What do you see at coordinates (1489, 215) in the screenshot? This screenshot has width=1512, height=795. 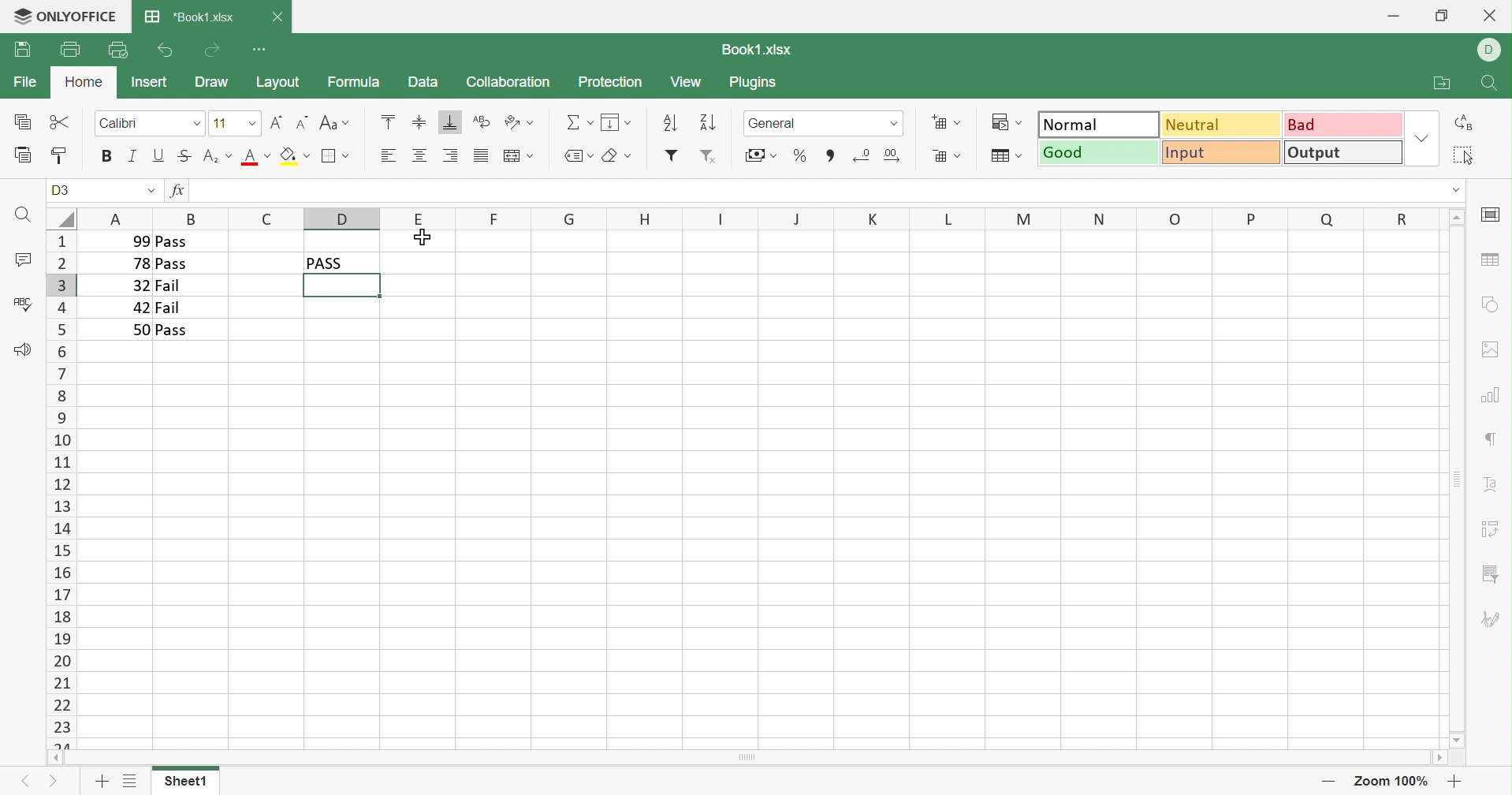 I see `Cell settings` at bounding box center [1489, 215].